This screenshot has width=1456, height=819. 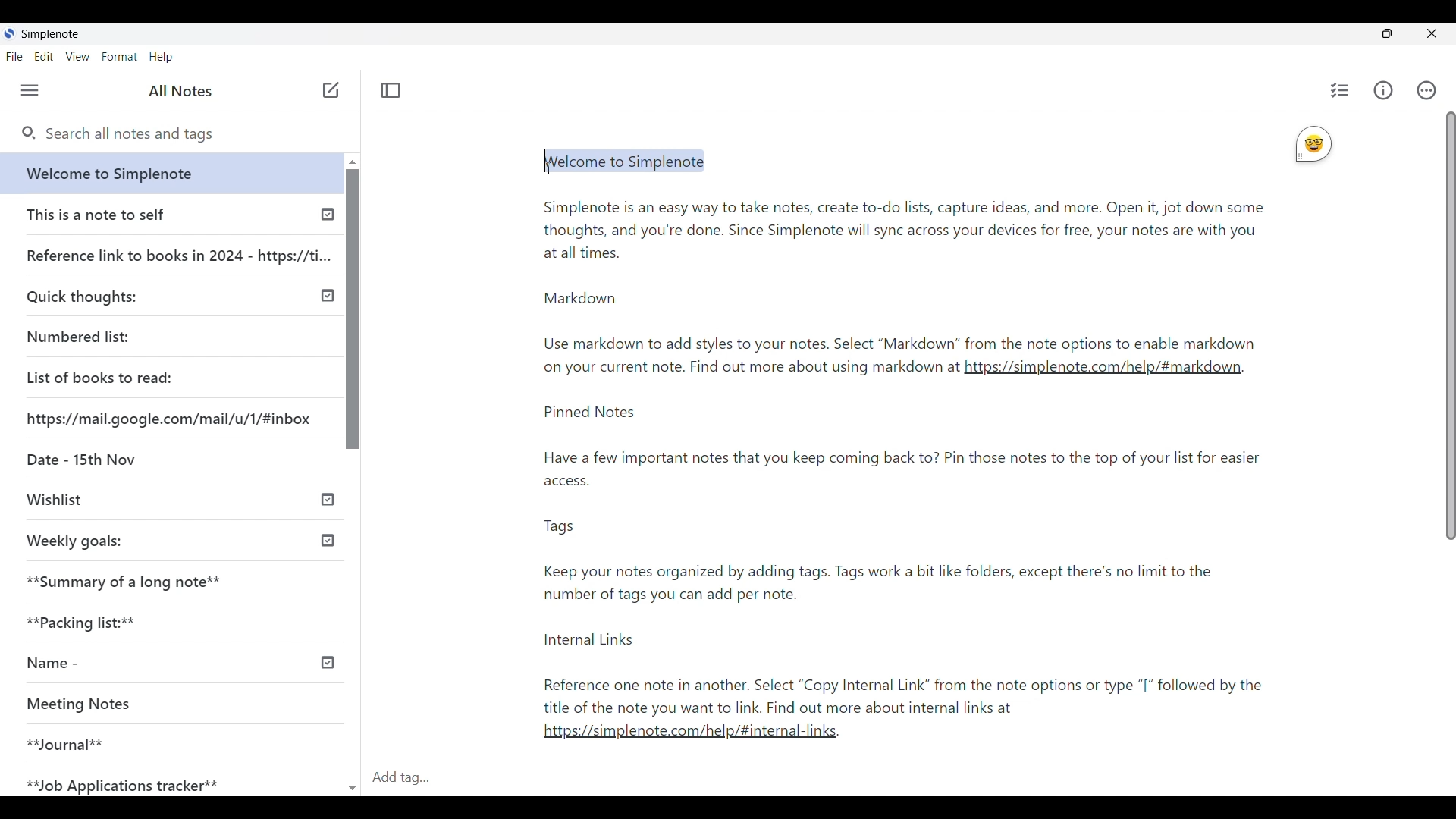 I want to click on Vertical slide bar, so click(x=1450, y=328).